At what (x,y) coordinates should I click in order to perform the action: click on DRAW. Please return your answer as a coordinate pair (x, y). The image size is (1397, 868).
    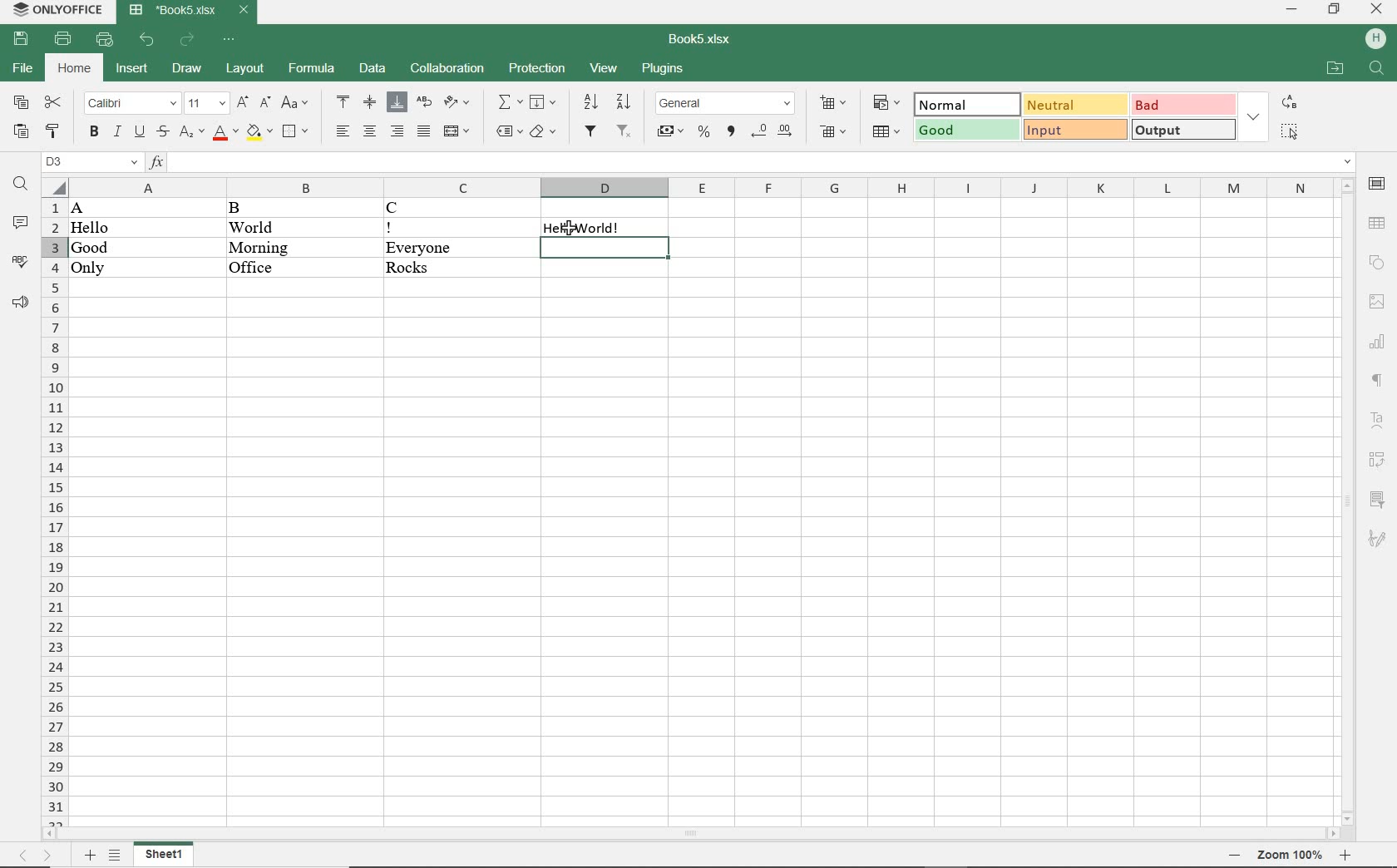
    Looking at the image, I should click on (188, 69).